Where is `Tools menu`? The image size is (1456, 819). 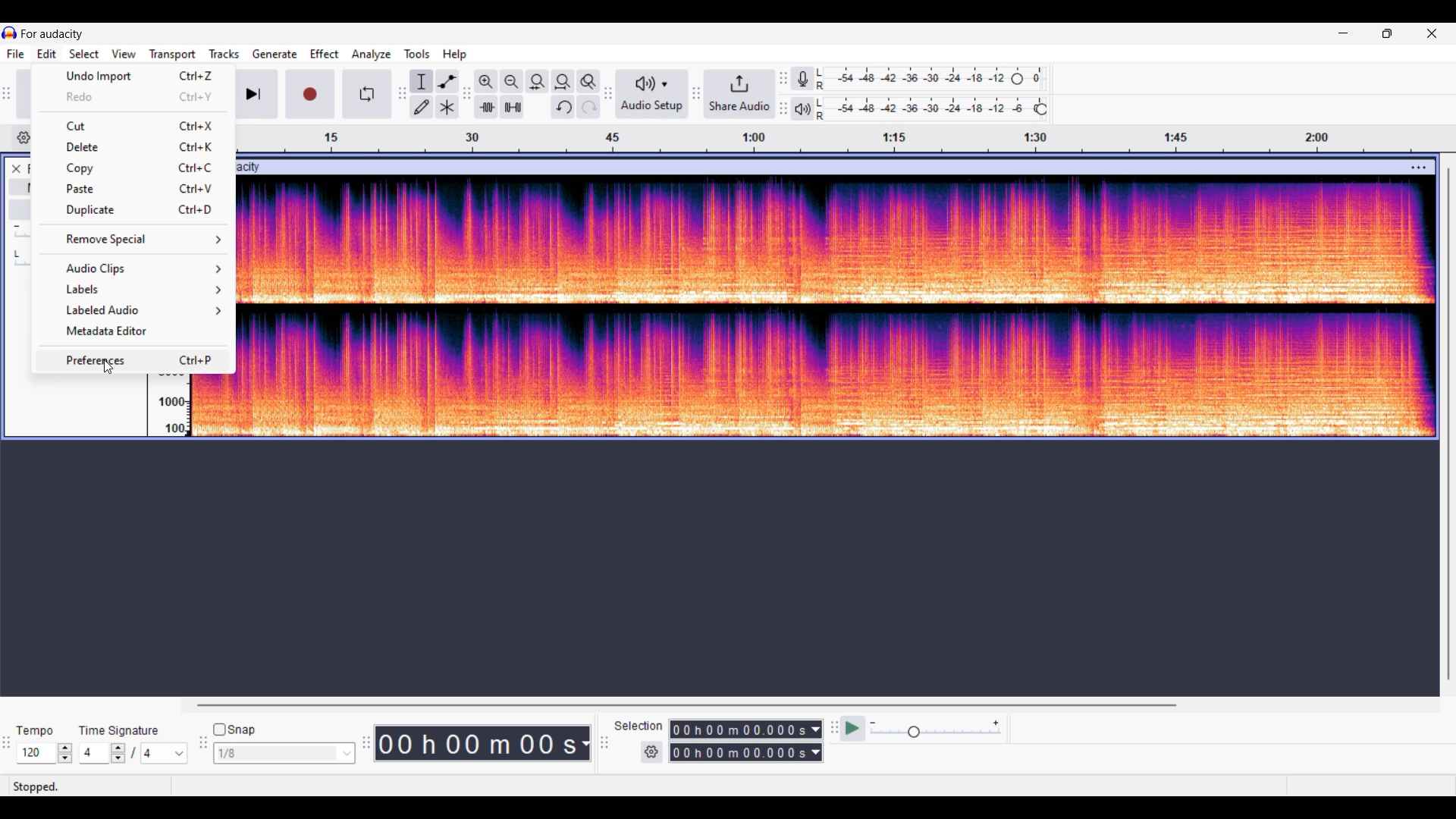
Tools menu is located at coordinates (417, 54).